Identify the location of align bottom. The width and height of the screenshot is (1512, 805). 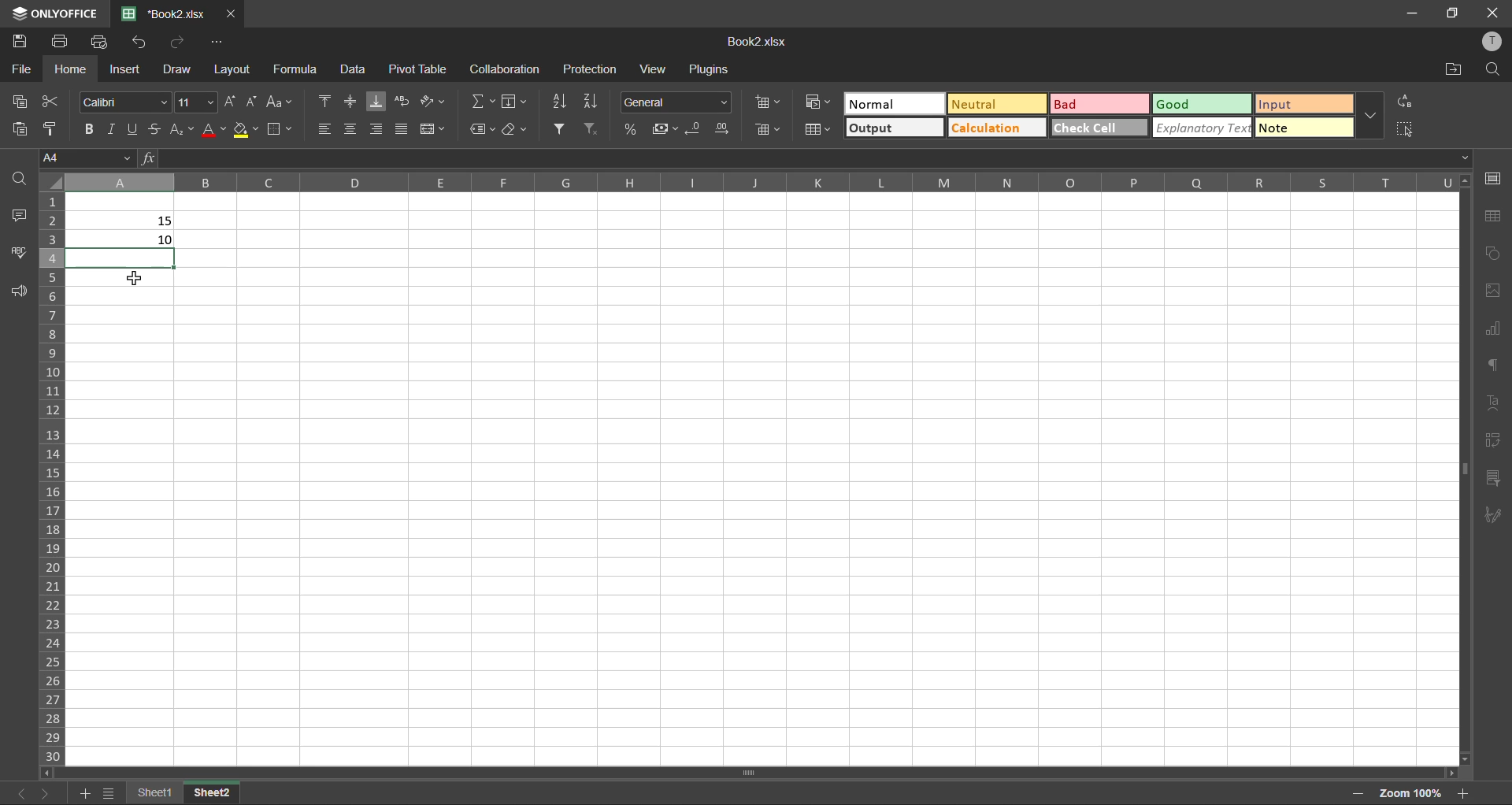
(380, 100).